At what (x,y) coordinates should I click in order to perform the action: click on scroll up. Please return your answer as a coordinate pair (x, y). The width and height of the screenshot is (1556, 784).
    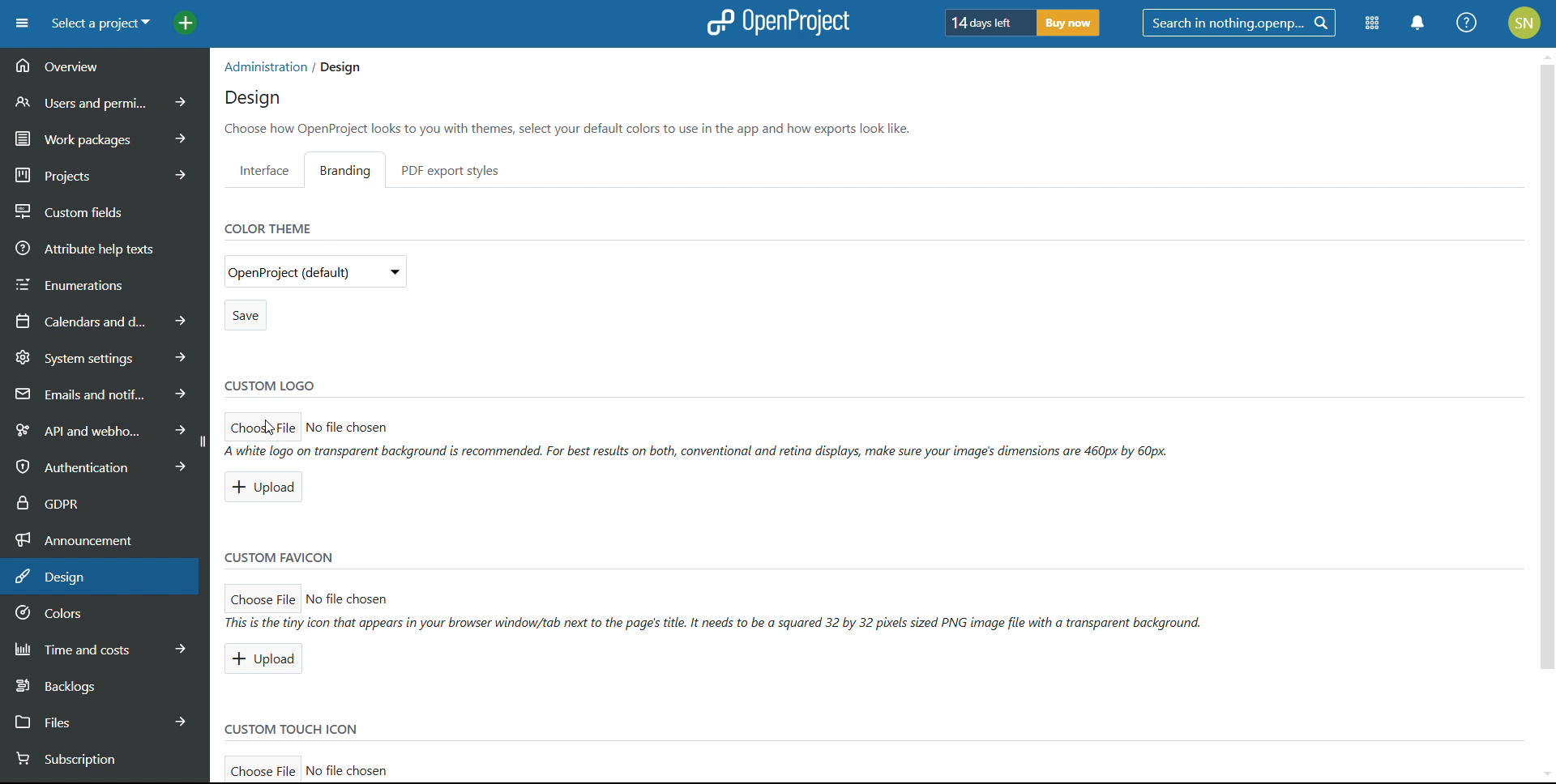
    Looking at the image, I should click on (1546, 53).